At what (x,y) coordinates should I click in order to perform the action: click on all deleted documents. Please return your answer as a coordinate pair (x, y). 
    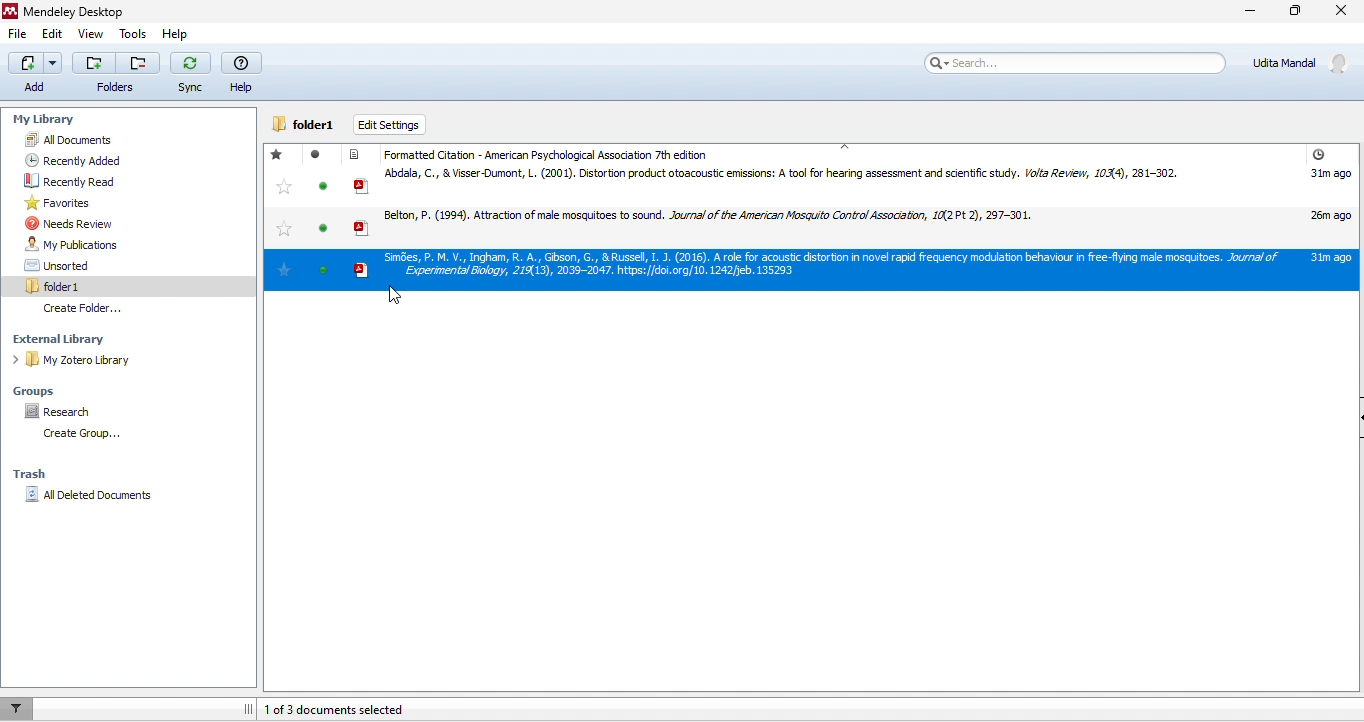
    Looking at the image, I should click on (90, 501).